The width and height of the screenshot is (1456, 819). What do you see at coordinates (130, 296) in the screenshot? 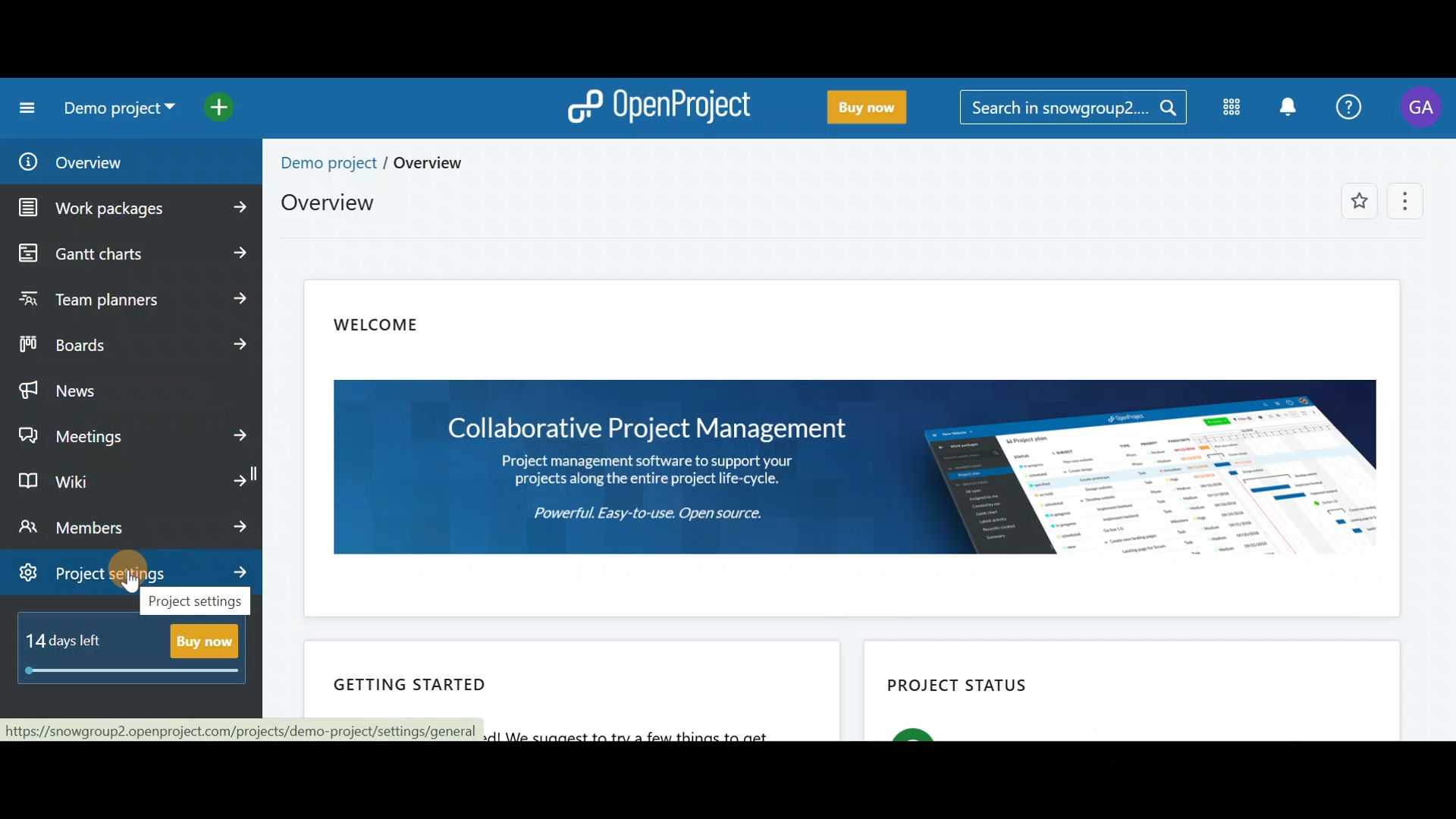
I see `Team planners` at bounding box center [130, 296].